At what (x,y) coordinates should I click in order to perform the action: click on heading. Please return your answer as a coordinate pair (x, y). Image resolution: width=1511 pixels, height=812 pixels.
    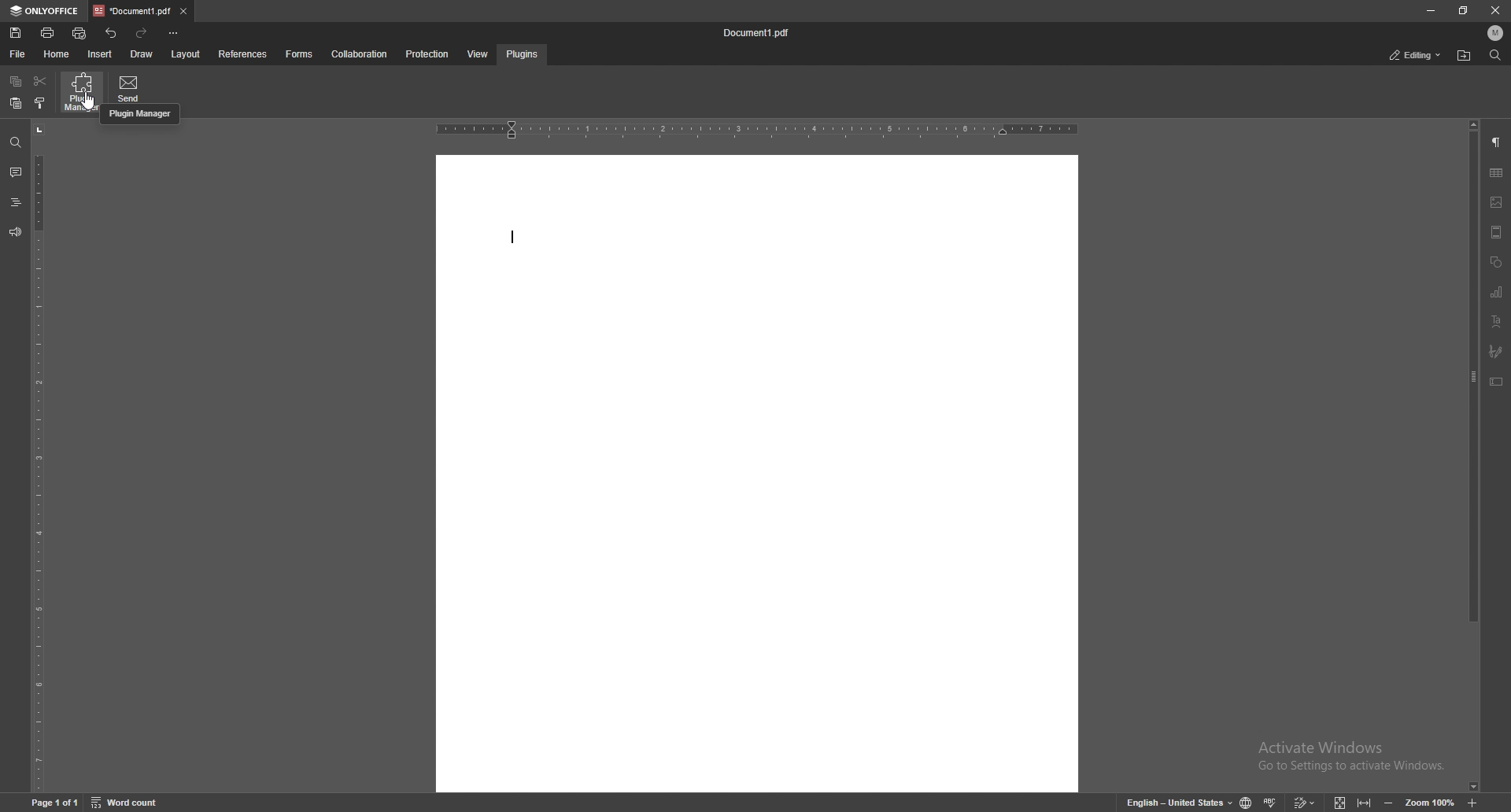
    Looking at the image, I should click on (17, 202).